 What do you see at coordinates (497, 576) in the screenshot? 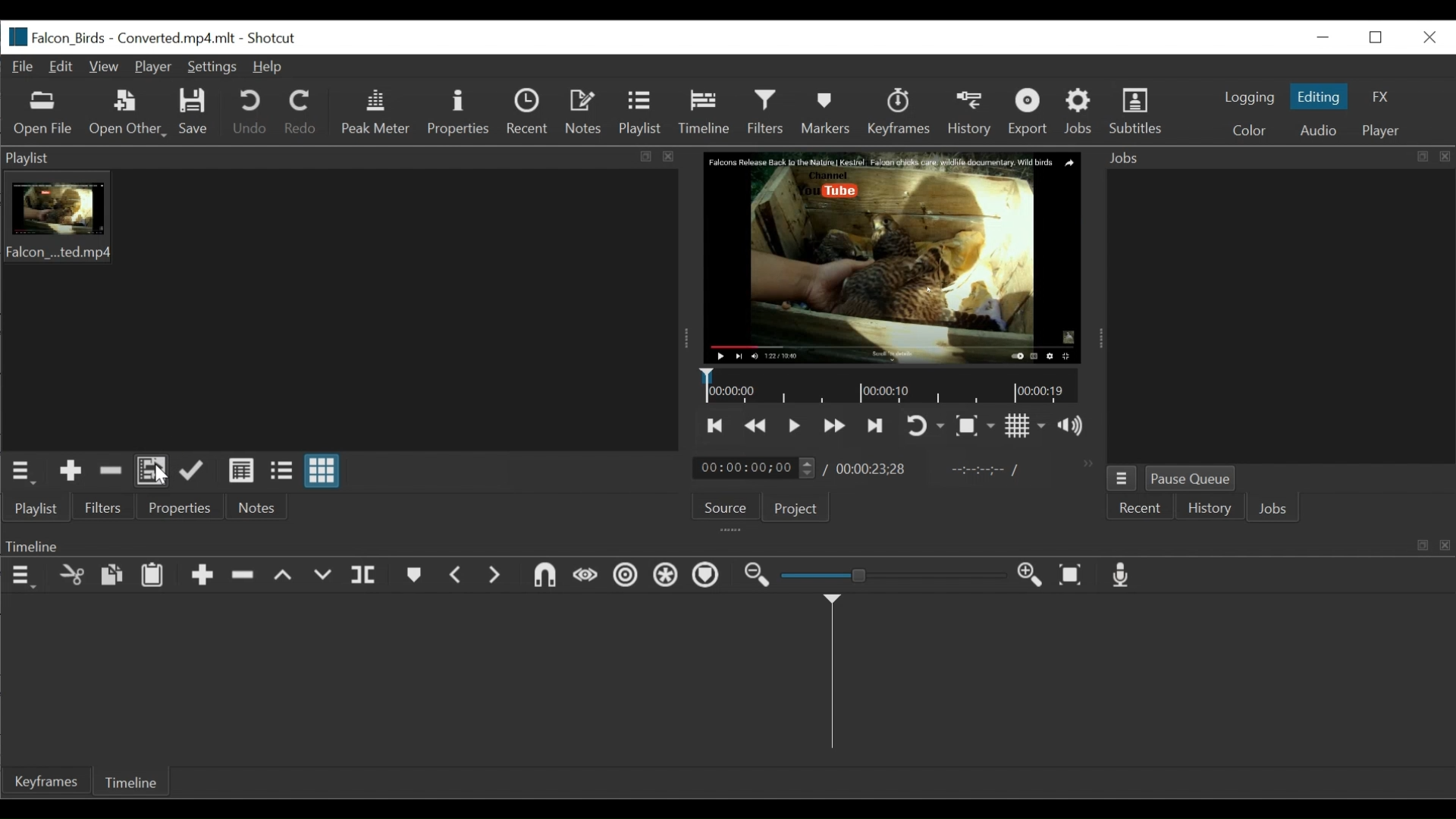
I see `Next Marker` at bounding box center [497, 576].